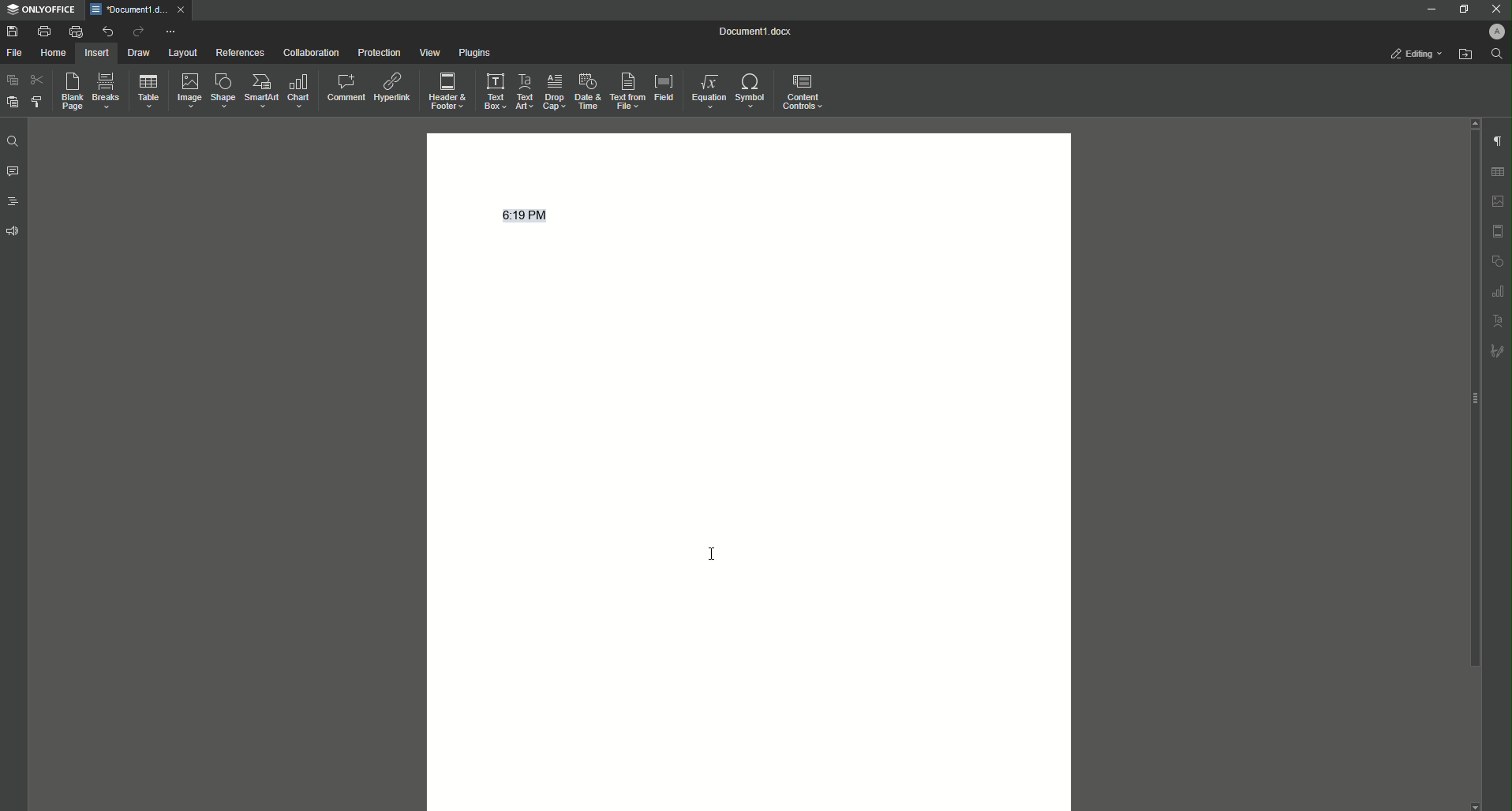 Image resolution: width=1512 pixels, height=811 pixels. Describe the element at coordinates (391, 84) in the screenshot. I see `Hyperlink` at that location.